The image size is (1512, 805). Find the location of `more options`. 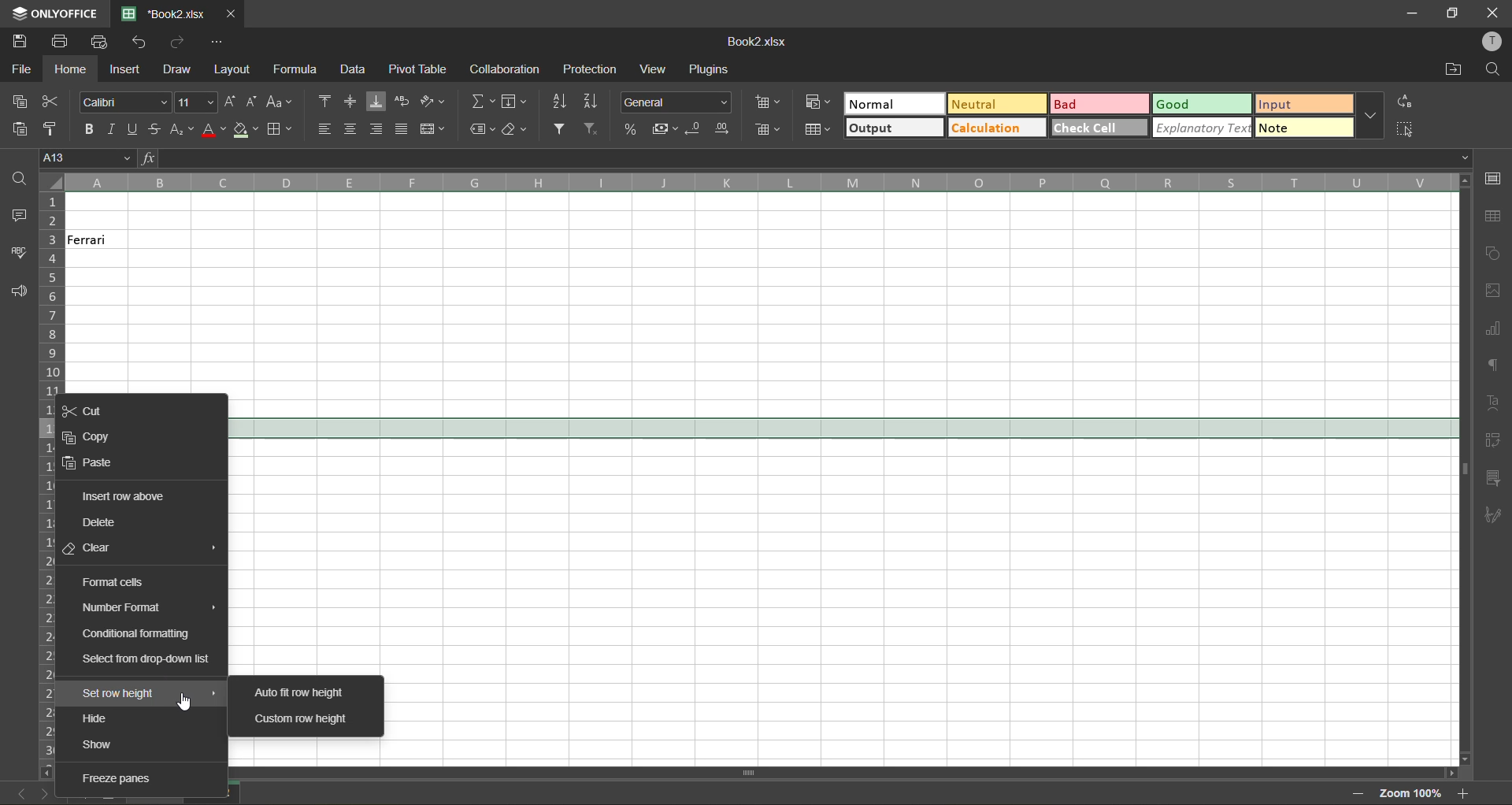

more options is located at coordinates (1371, 116).